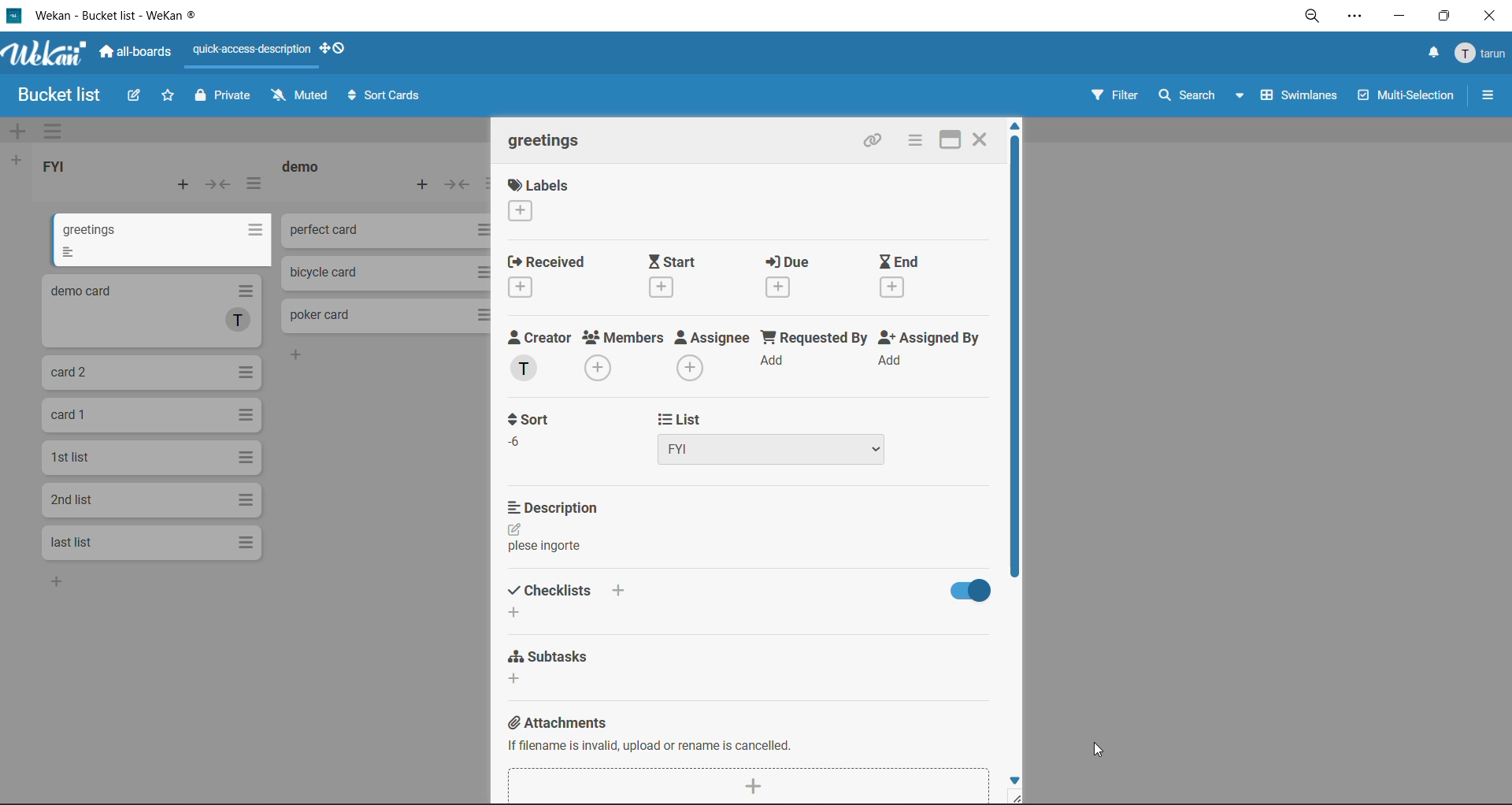  I want to click on add list, so click(14, 161).